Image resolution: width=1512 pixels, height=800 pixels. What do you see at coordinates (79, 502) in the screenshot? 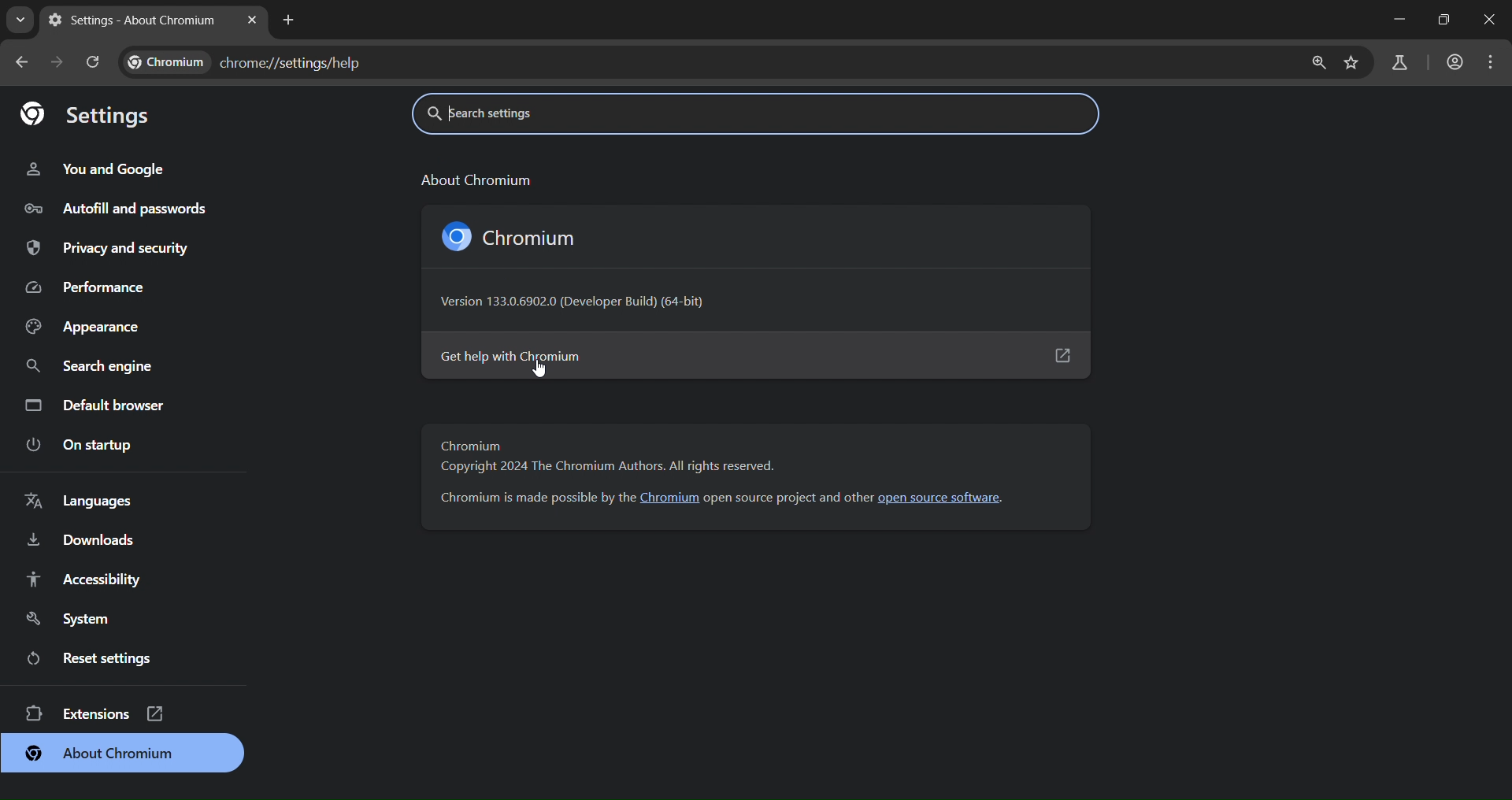
I see `languages` at bounding box center [79, 502].